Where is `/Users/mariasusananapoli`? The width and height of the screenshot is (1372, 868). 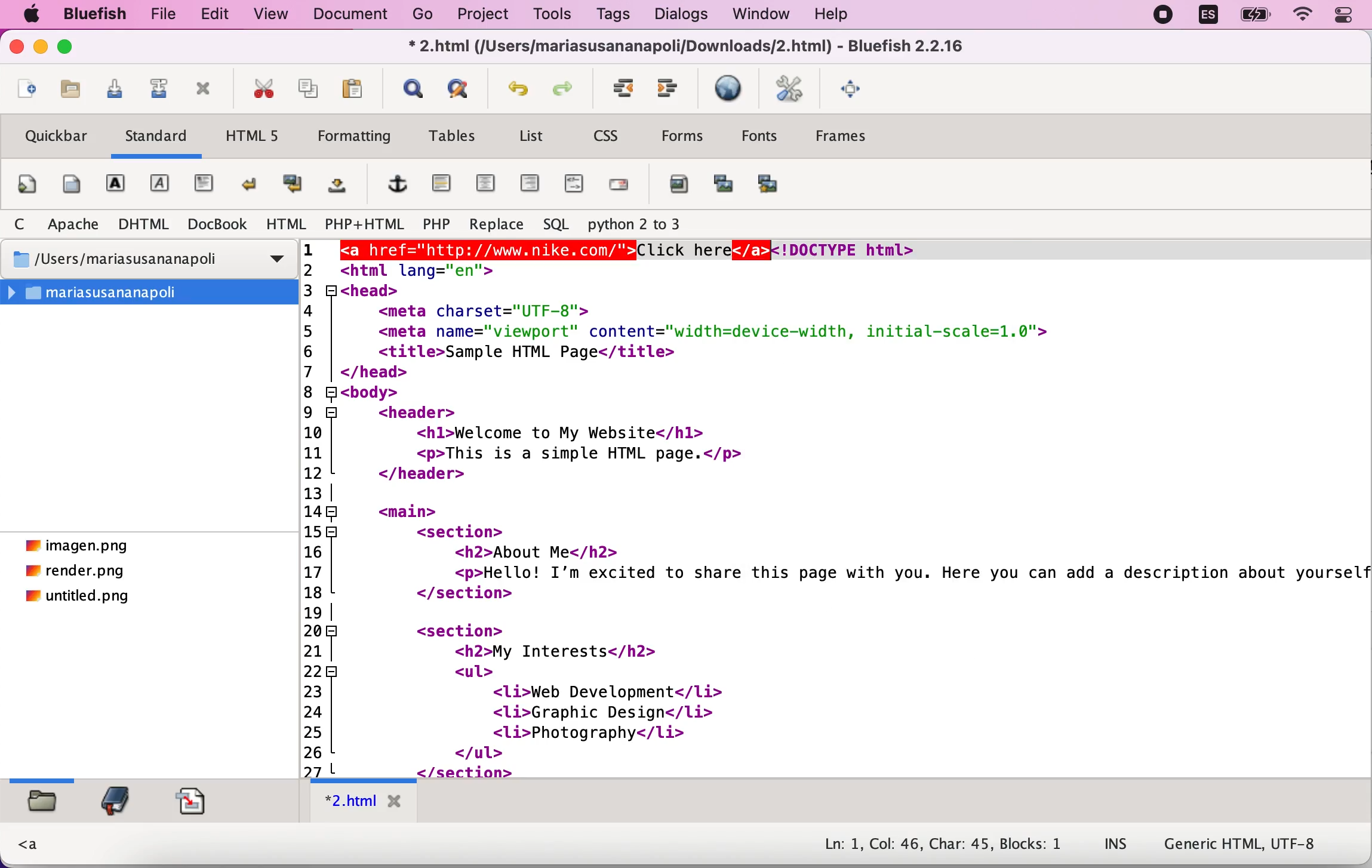
/Users/mariasusananapoli is located at coordinates (151, 260).